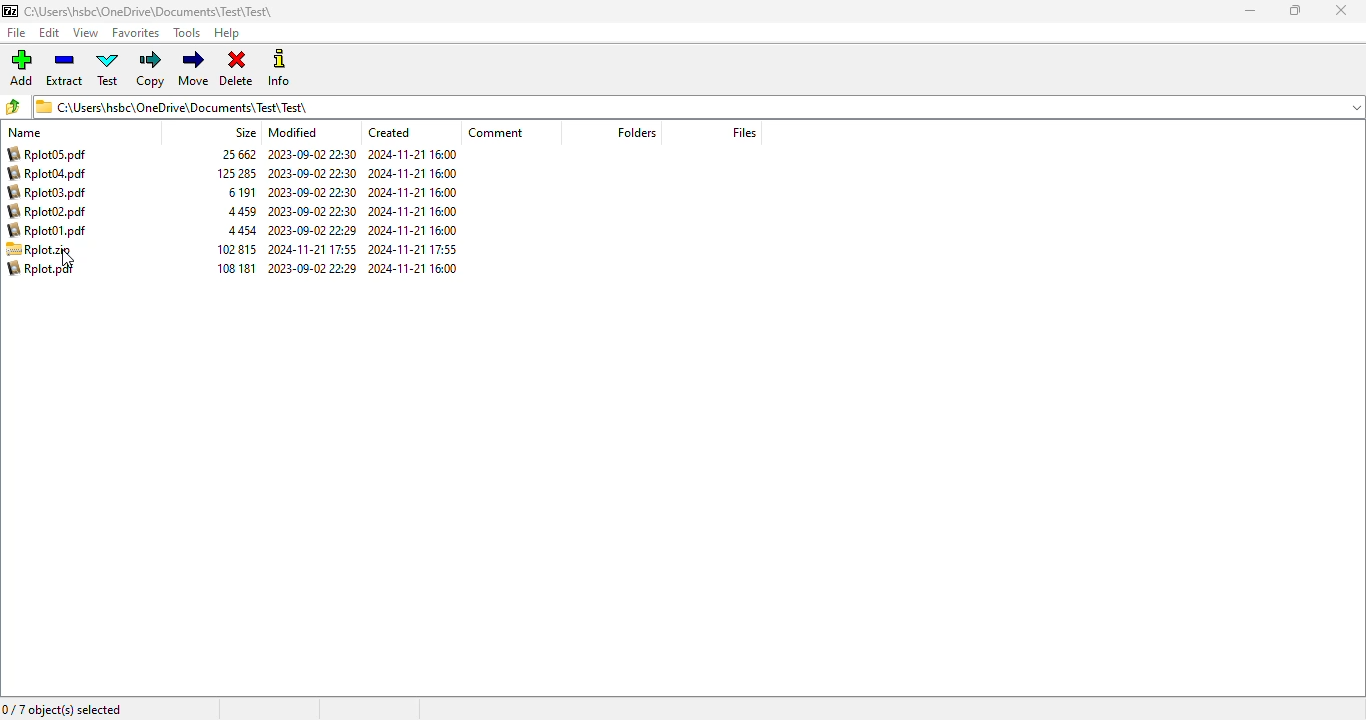 The height and width of the screenshot is (720, 1366). Describe the element at coordinates (85, 32) in the screenshot. I see `view` at that location.